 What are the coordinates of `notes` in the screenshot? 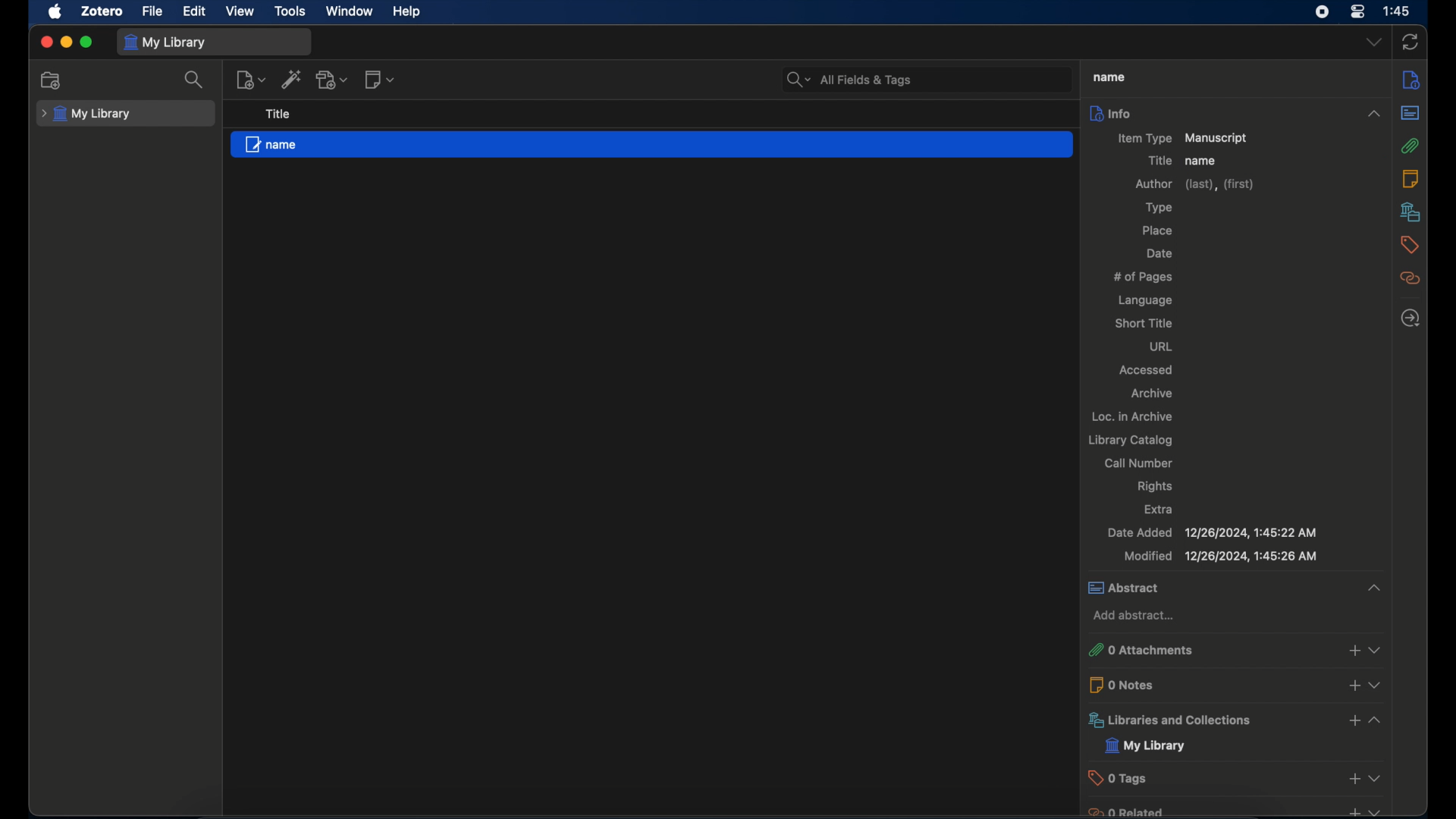 It's located at (1411, 179).